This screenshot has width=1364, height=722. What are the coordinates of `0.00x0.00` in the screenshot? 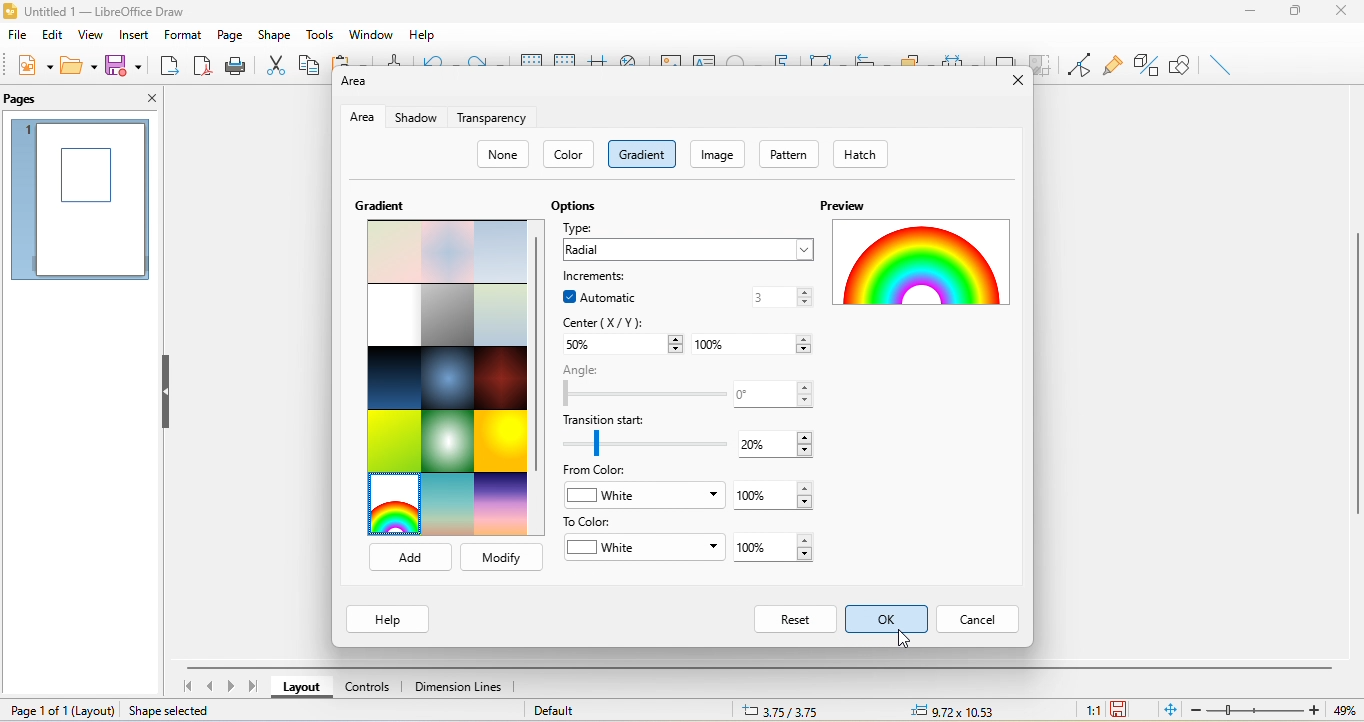 It's located at (950, 710).